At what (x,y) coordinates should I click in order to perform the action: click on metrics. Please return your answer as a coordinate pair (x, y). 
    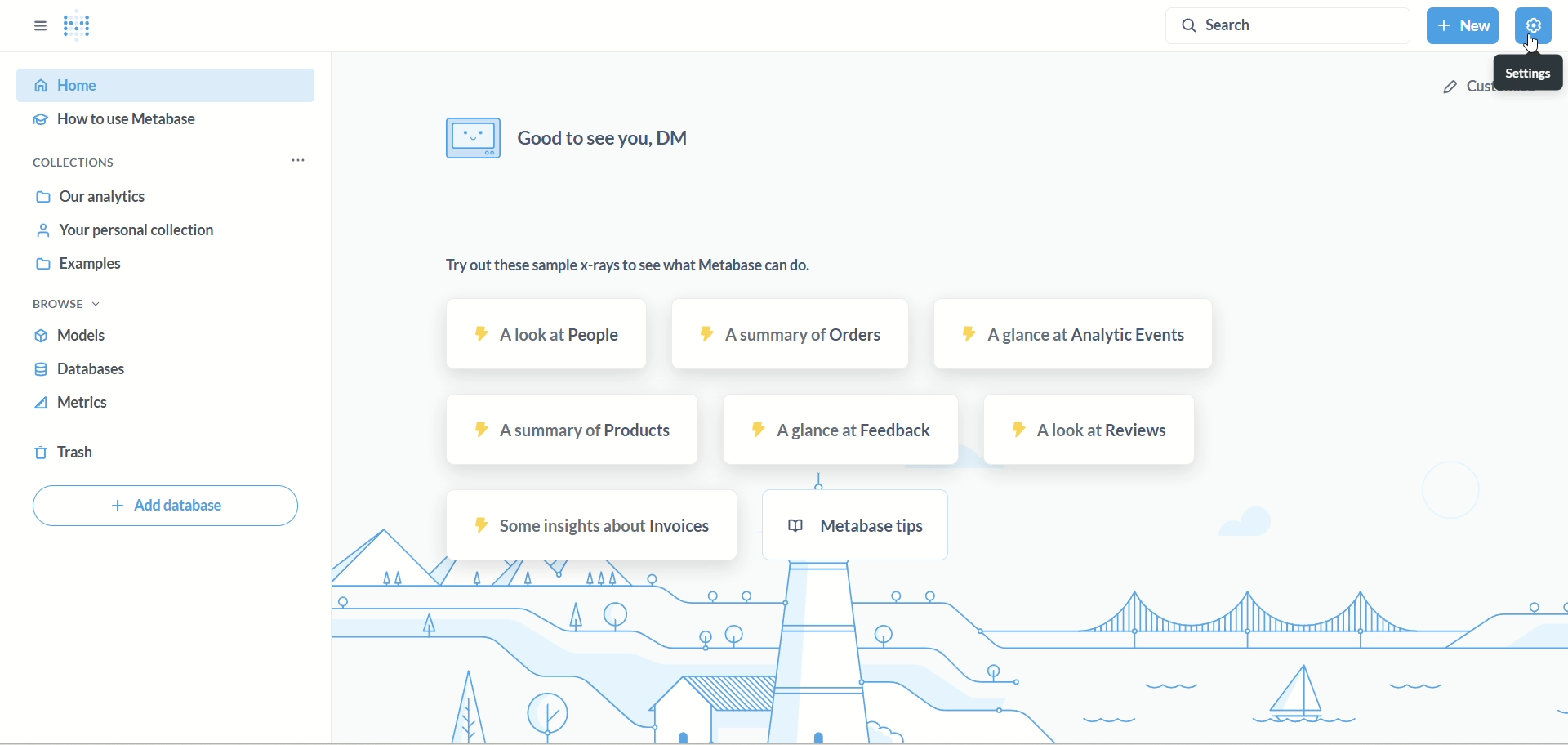
    Looking at the image, I should click on (73, 407).